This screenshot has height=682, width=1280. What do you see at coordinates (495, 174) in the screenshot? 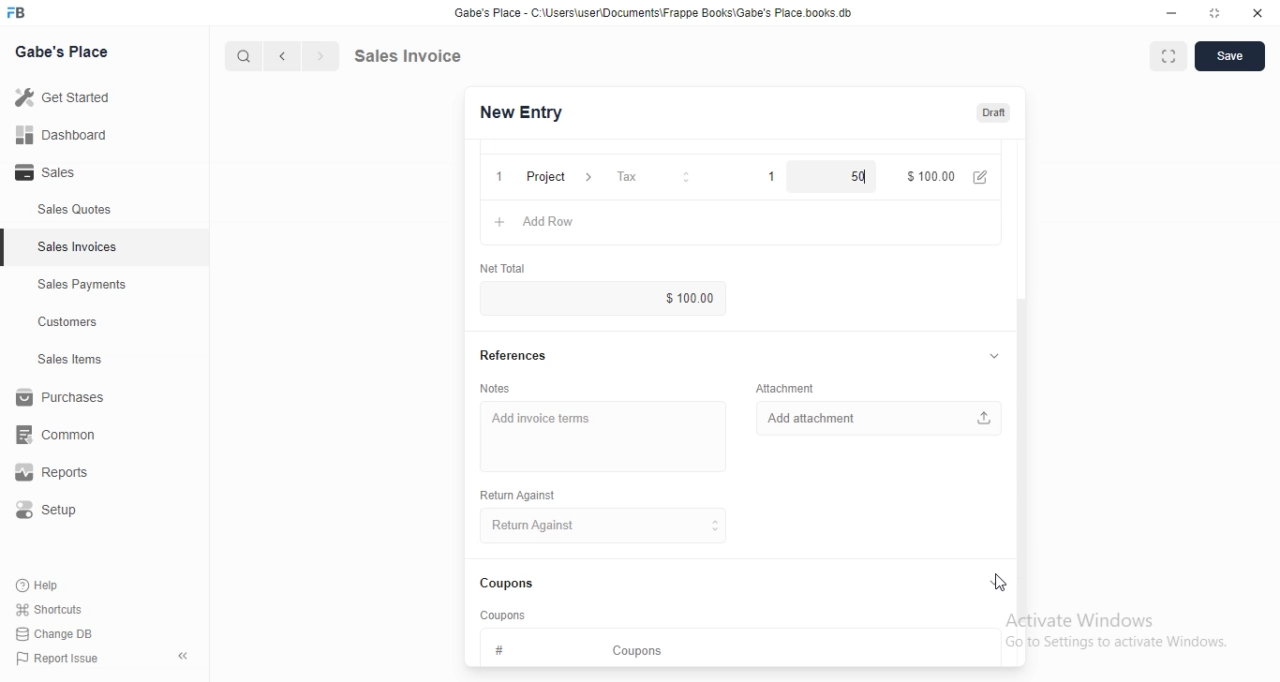
I see `1` at bounding box center [495, 174].